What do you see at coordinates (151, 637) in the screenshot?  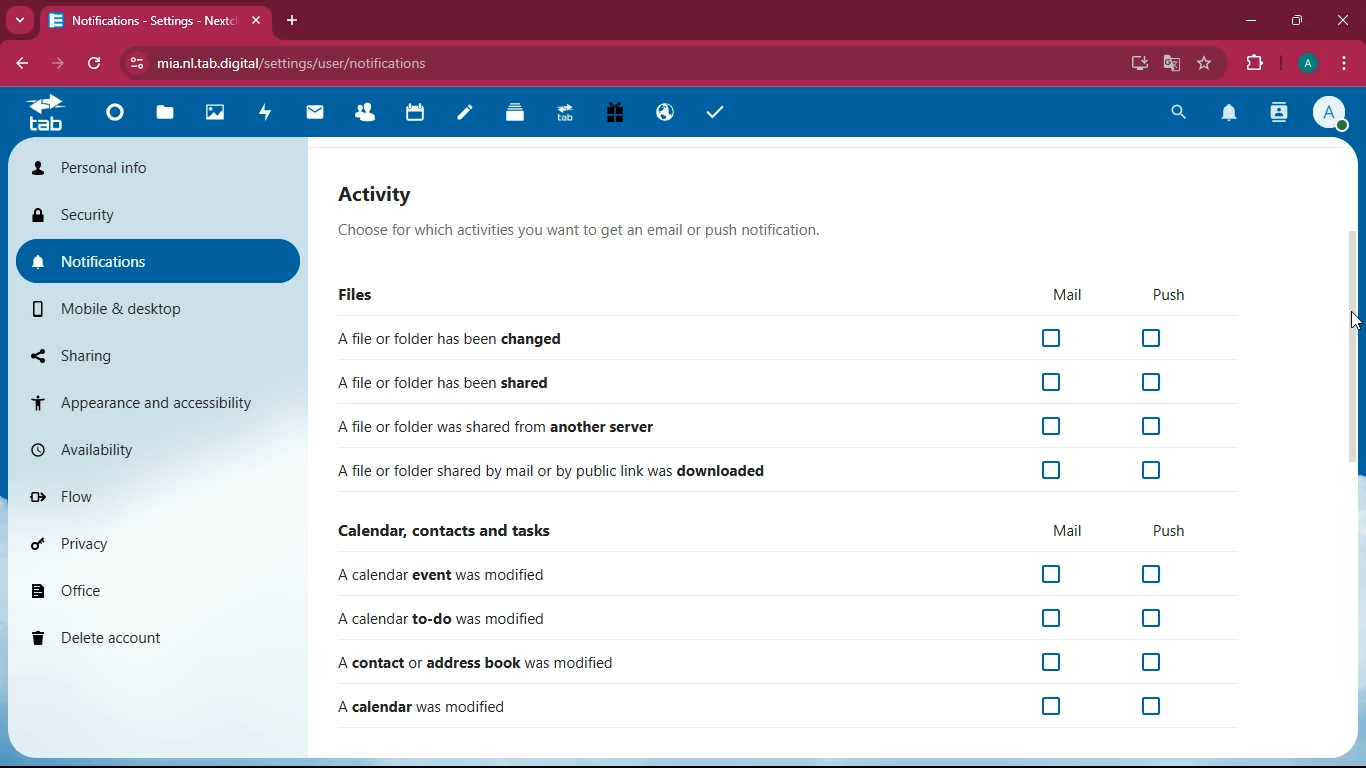 I see `delete account` at bounding box center [151, 637].